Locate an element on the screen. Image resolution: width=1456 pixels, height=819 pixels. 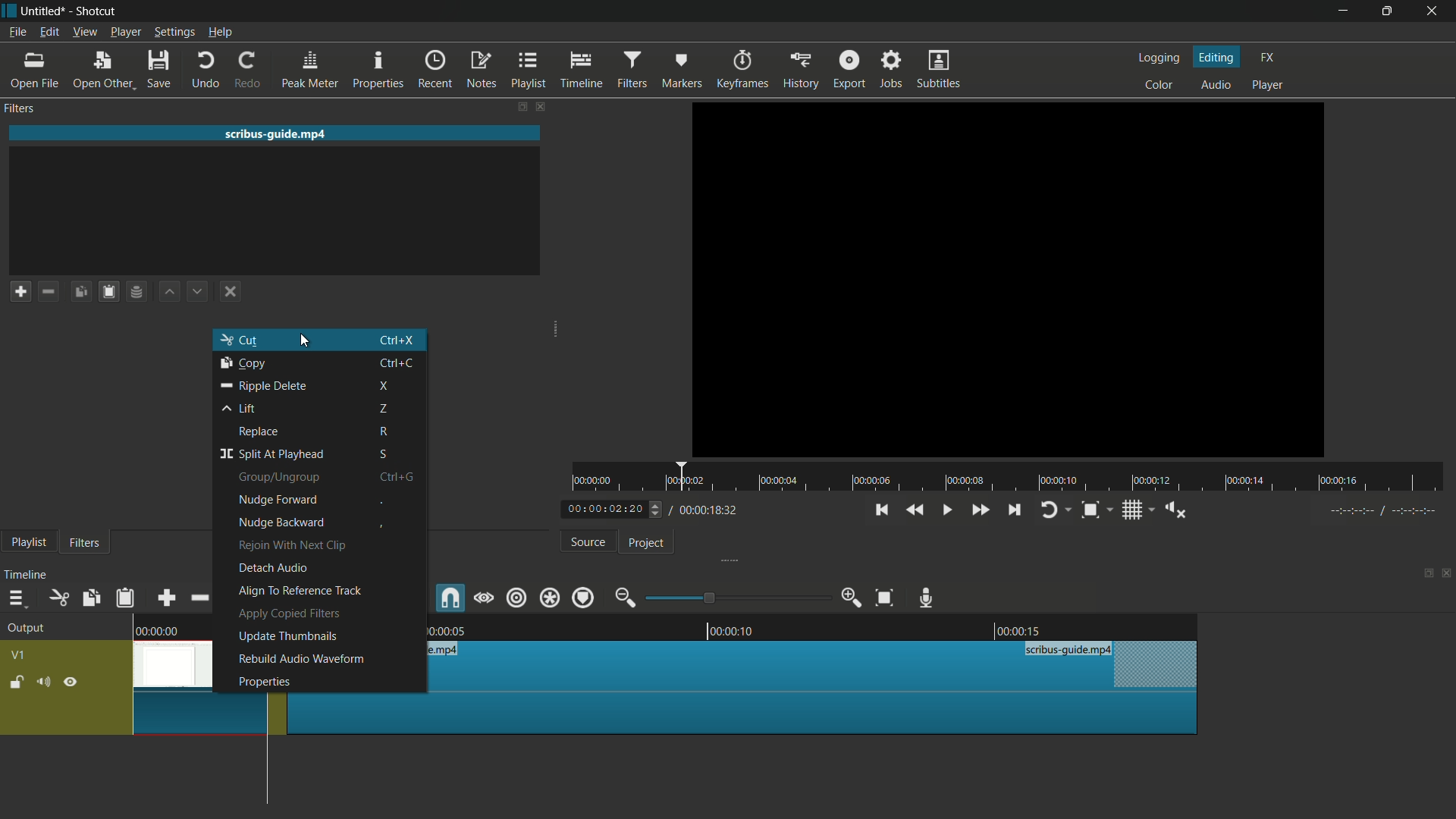
fx is located at coordinates (1267, 55).